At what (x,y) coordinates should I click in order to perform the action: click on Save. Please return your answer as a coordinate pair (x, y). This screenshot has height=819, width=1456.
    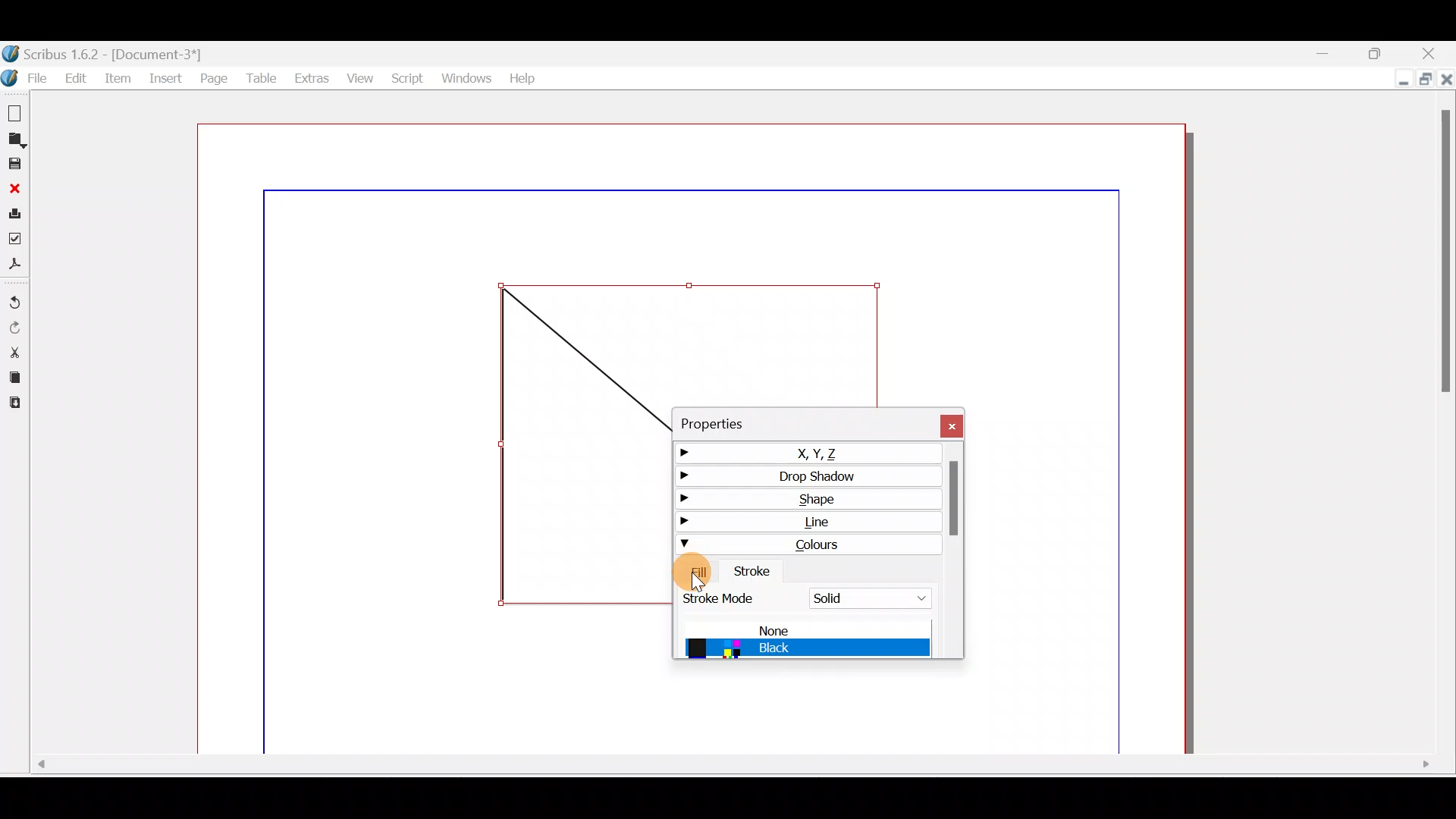
    Looking at the image, I should click on (14, 163).